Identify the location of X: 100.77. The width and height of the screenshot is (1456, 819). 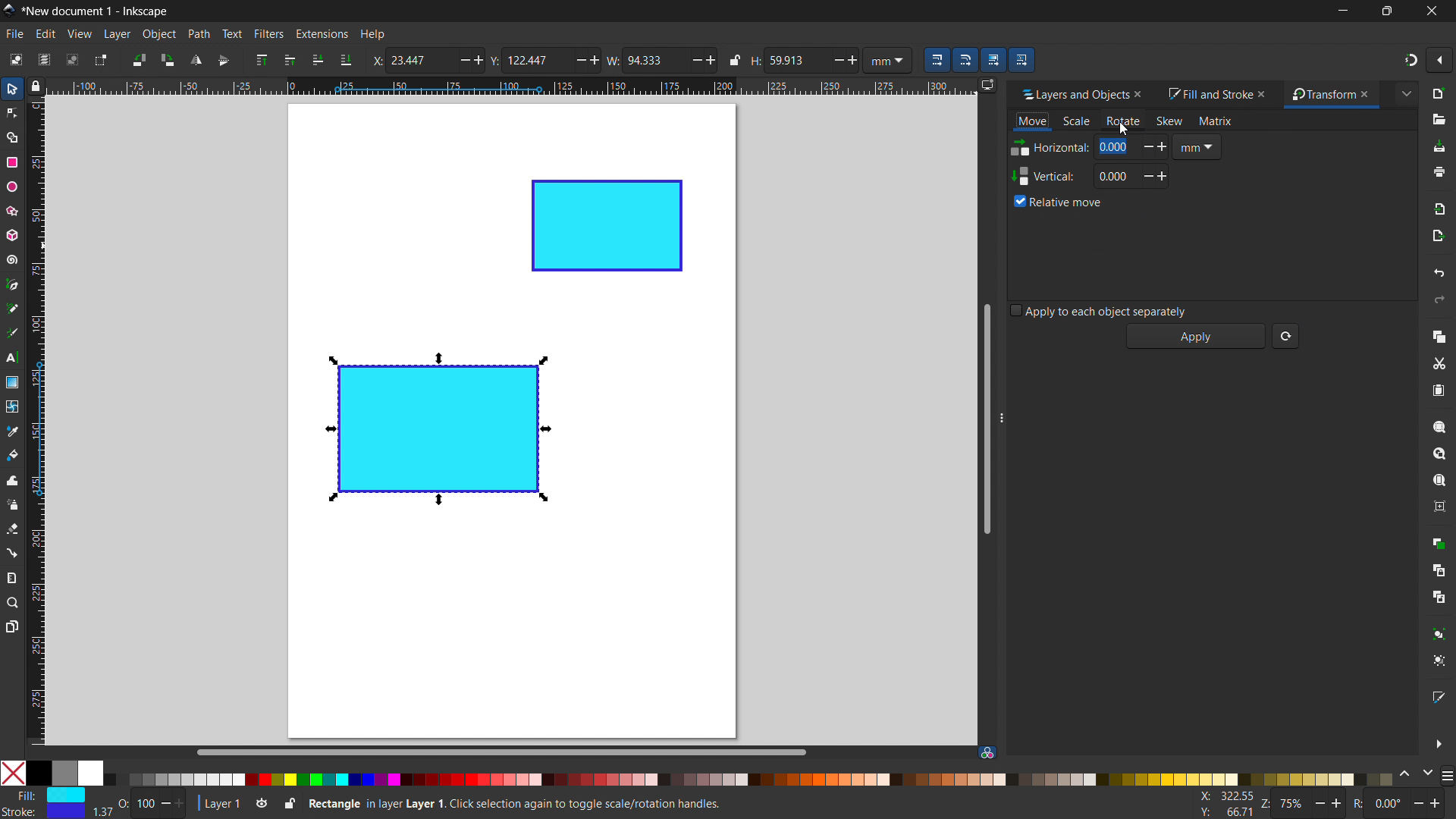
(1222, 797).